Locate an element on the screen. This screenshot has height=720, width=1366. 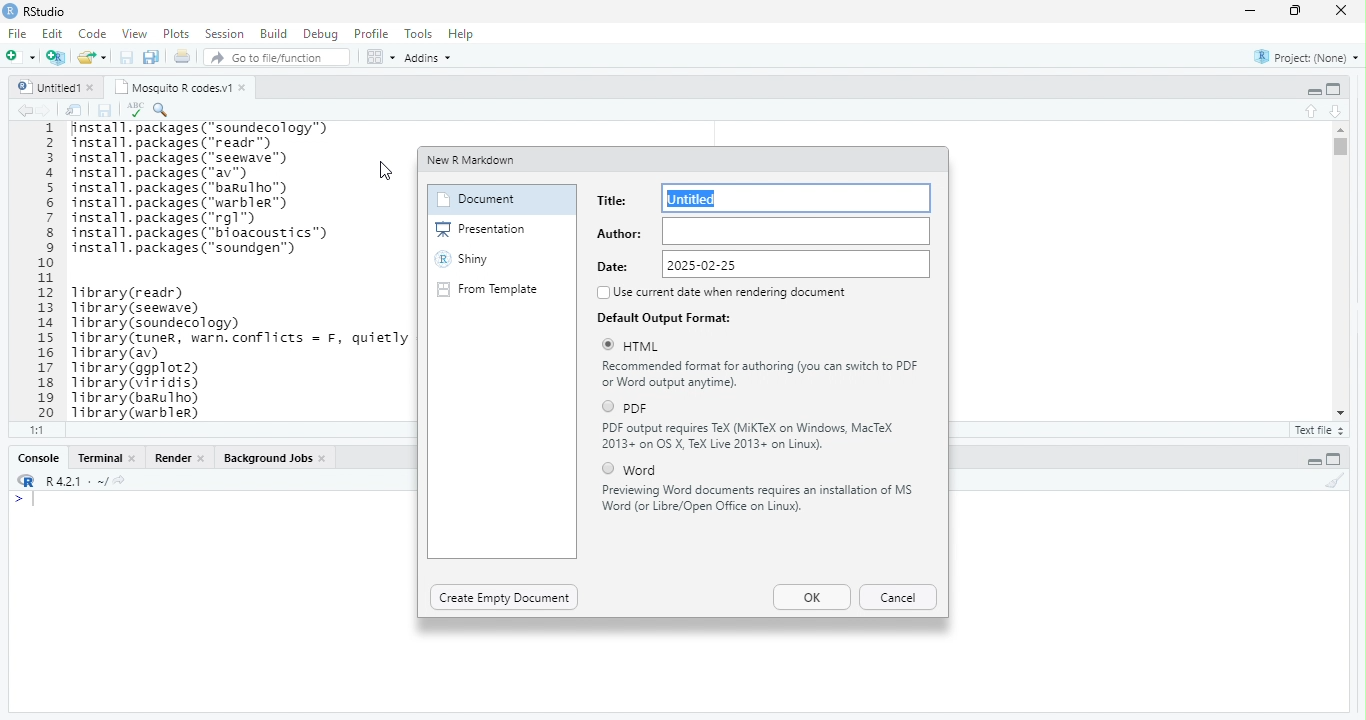
logo is located at coordinates (11, 10).